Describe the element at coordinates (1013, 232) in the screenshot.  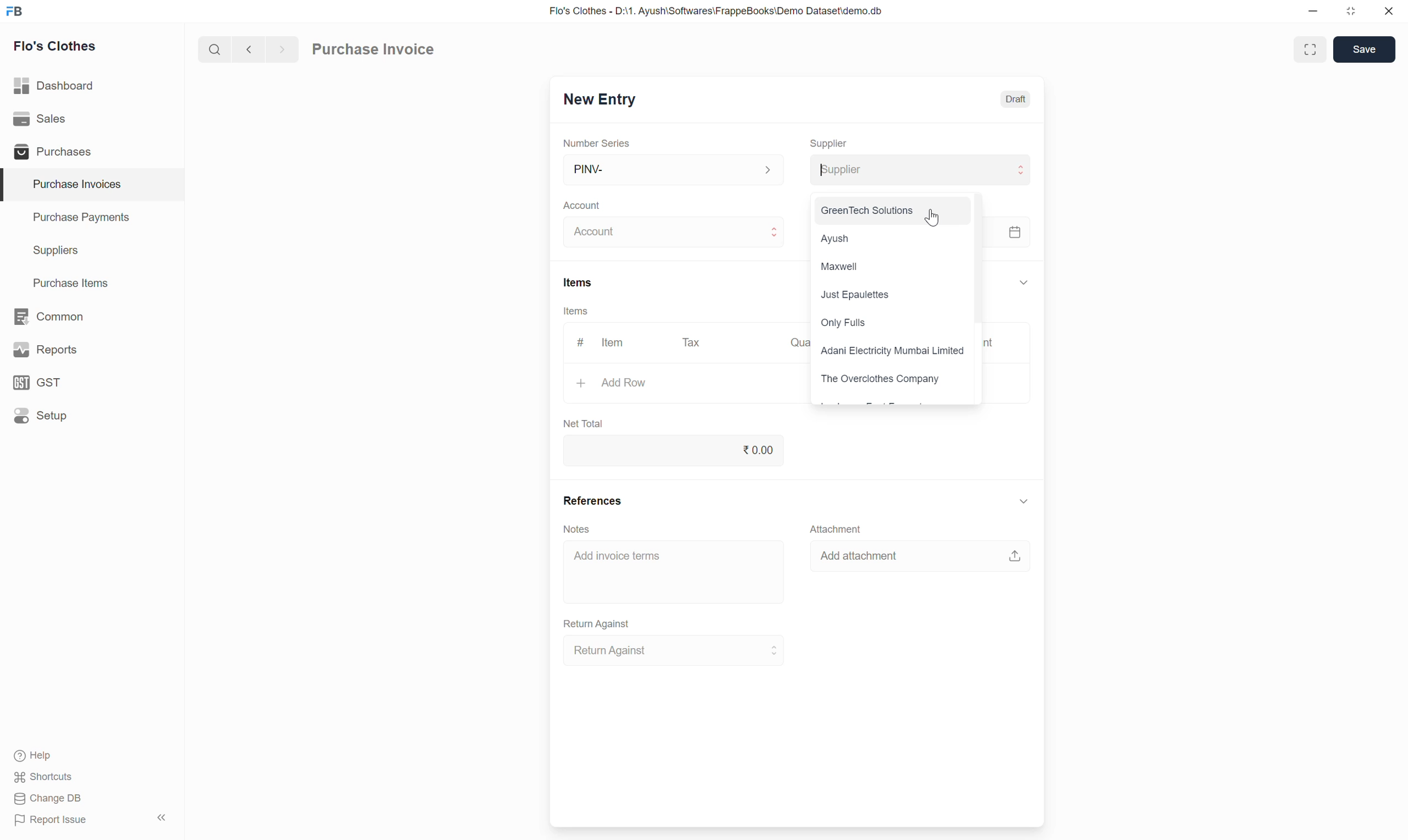
I see `calendar icon` at that location.